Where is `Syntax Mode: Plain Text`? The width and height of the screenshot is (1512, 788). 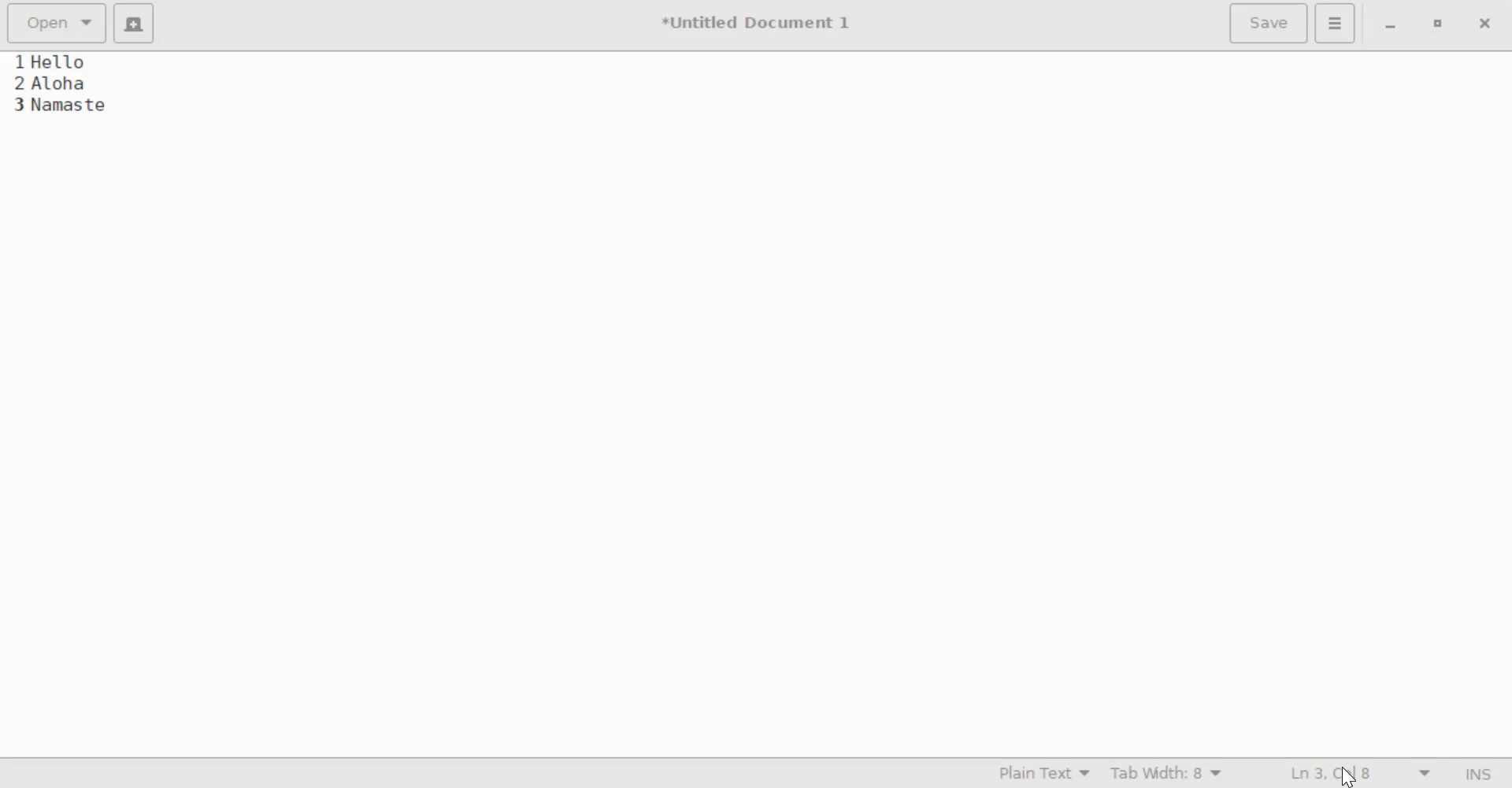 Syntax Mode: Plain Text is located at coordinates (1041, 772).